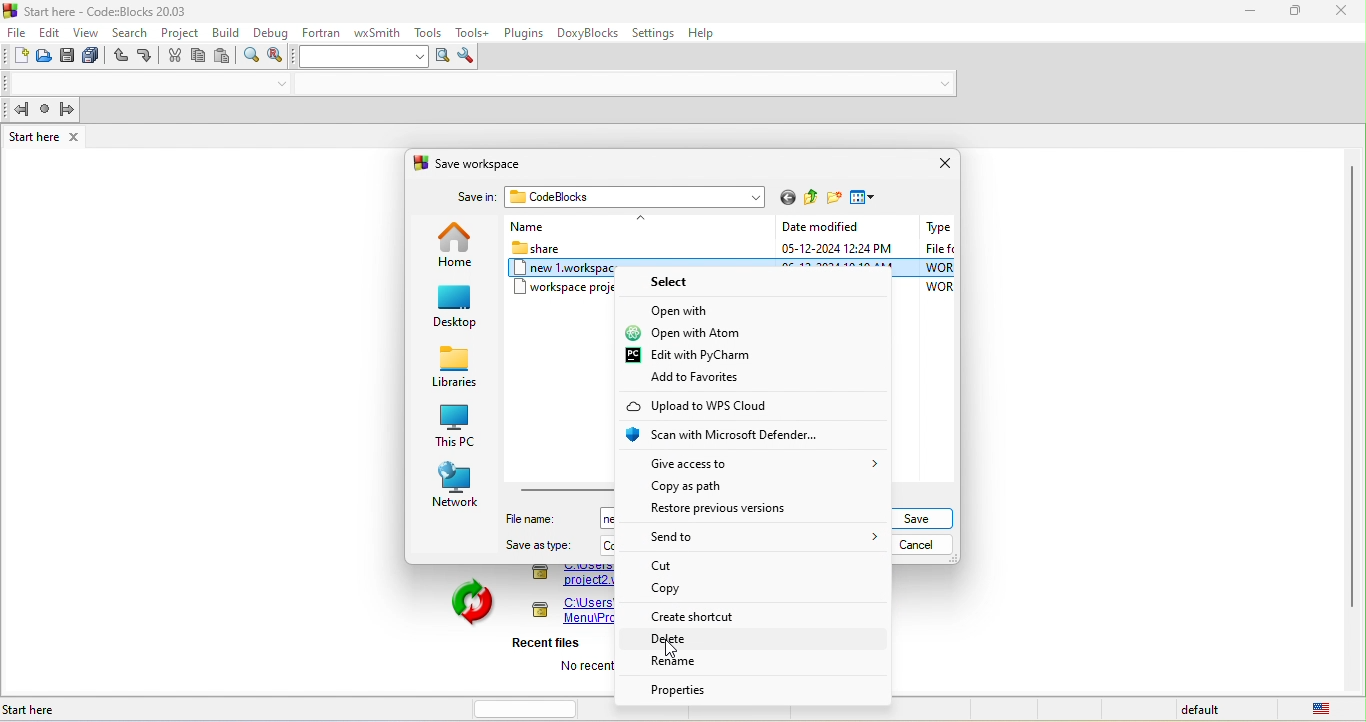 The image size is (1366, 722). Describe the element at coordinates (50, 31) in the screenshot. I see `edit` at that location.